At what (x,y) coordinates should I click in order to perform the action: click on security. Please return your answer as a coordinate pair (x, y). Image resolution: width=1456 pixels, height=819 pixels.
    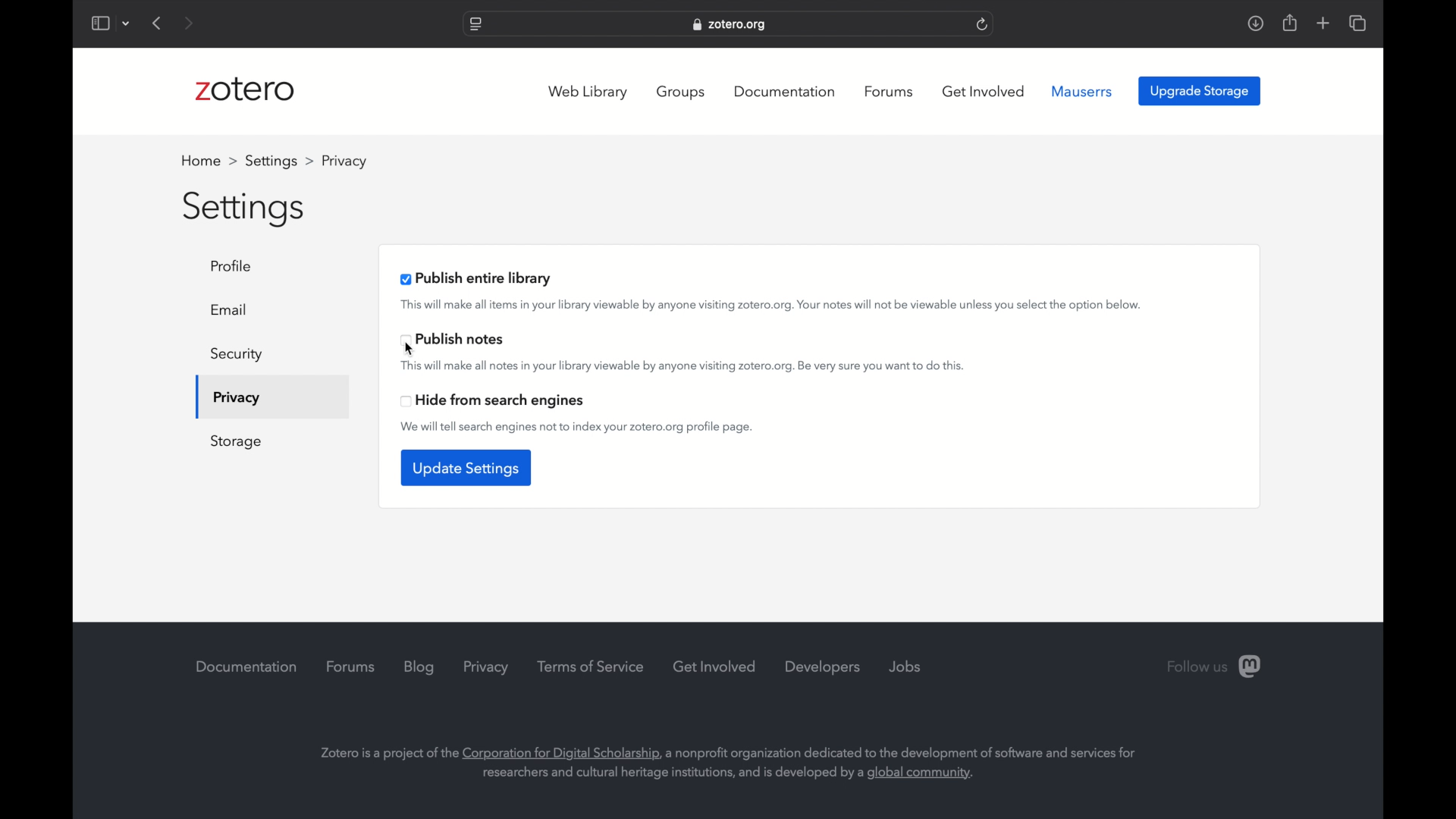
    Looking at the image, I should click on (237, 355).